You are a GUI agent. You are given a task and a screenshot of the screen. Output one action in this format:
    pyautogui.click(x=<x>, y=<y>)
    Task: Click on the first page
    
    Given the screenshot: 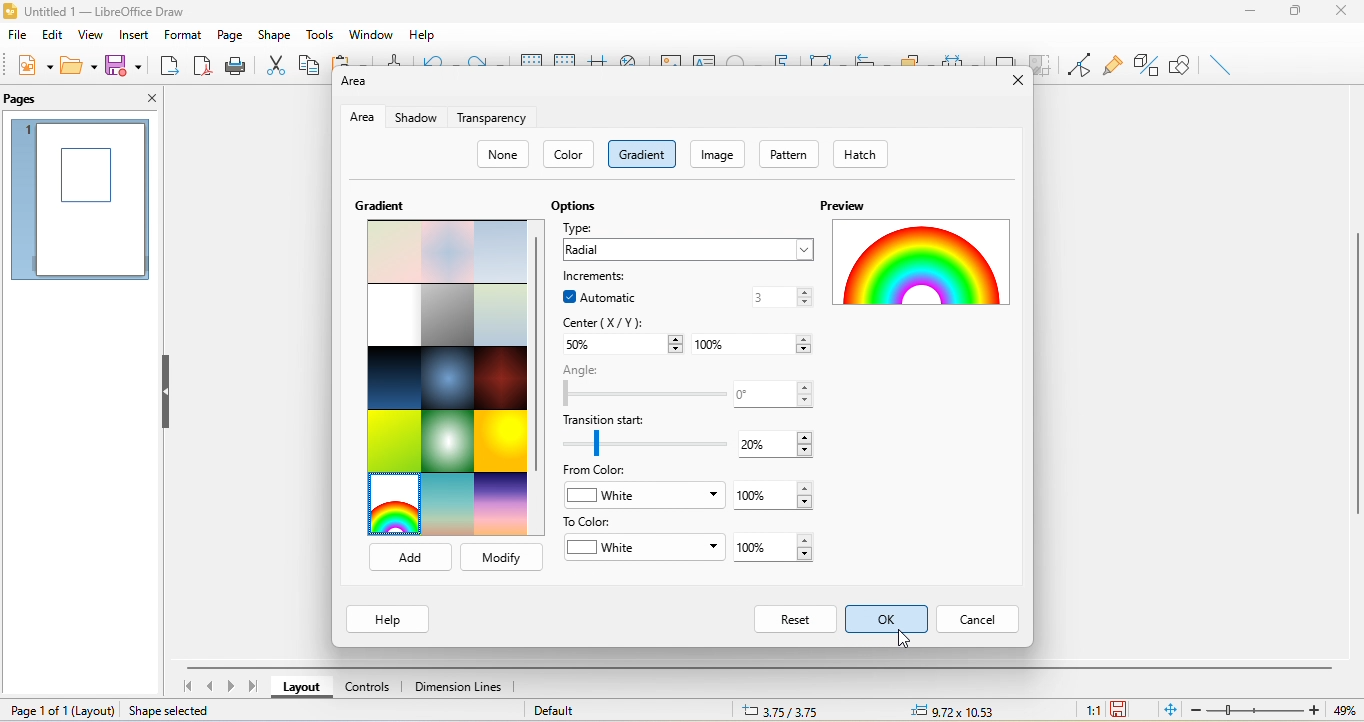 What is the action you would take?
    pyautogui.click(x=189, y=686)
    